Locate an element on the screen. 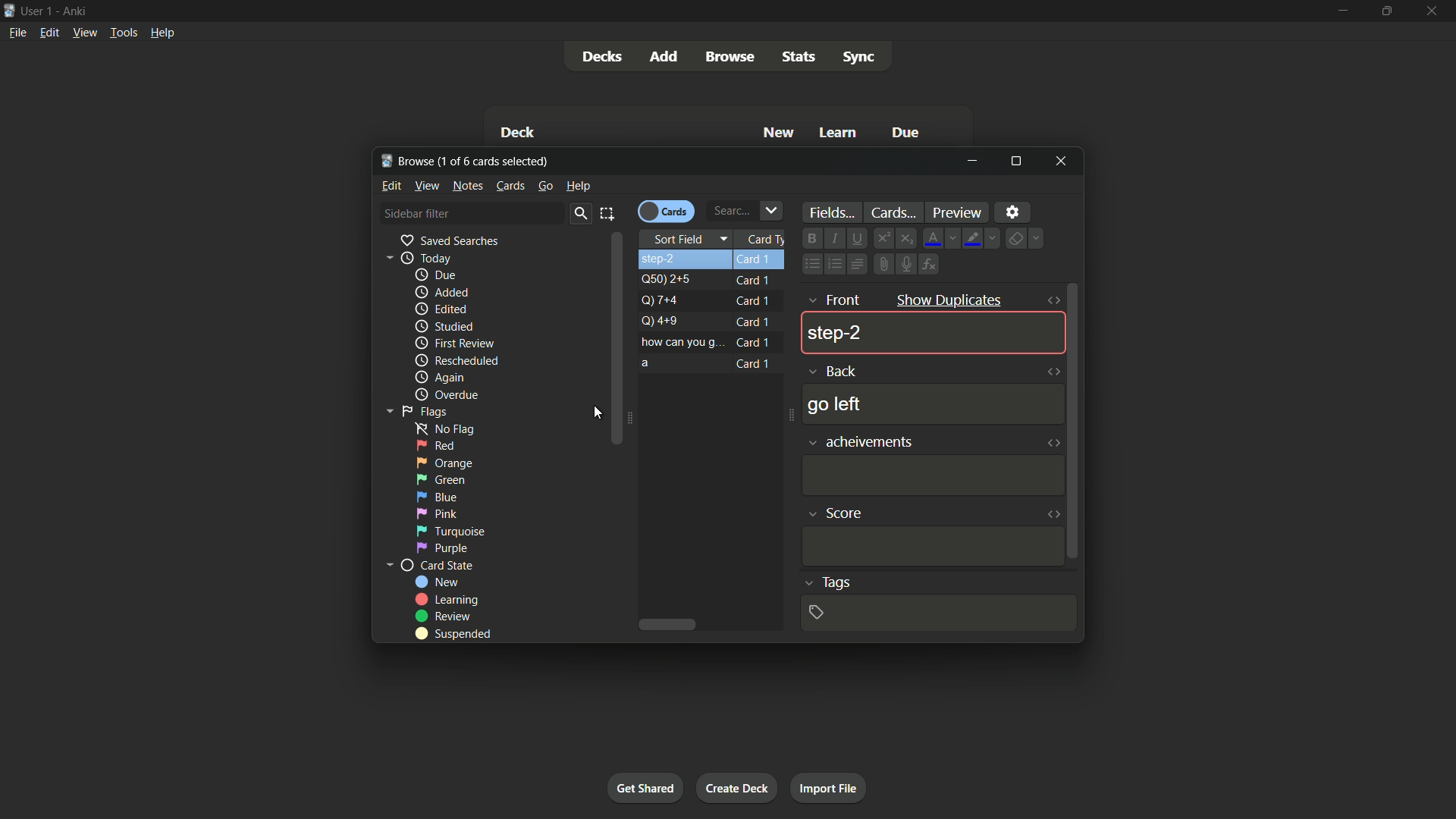  stats is located at coordinates (802, 55).